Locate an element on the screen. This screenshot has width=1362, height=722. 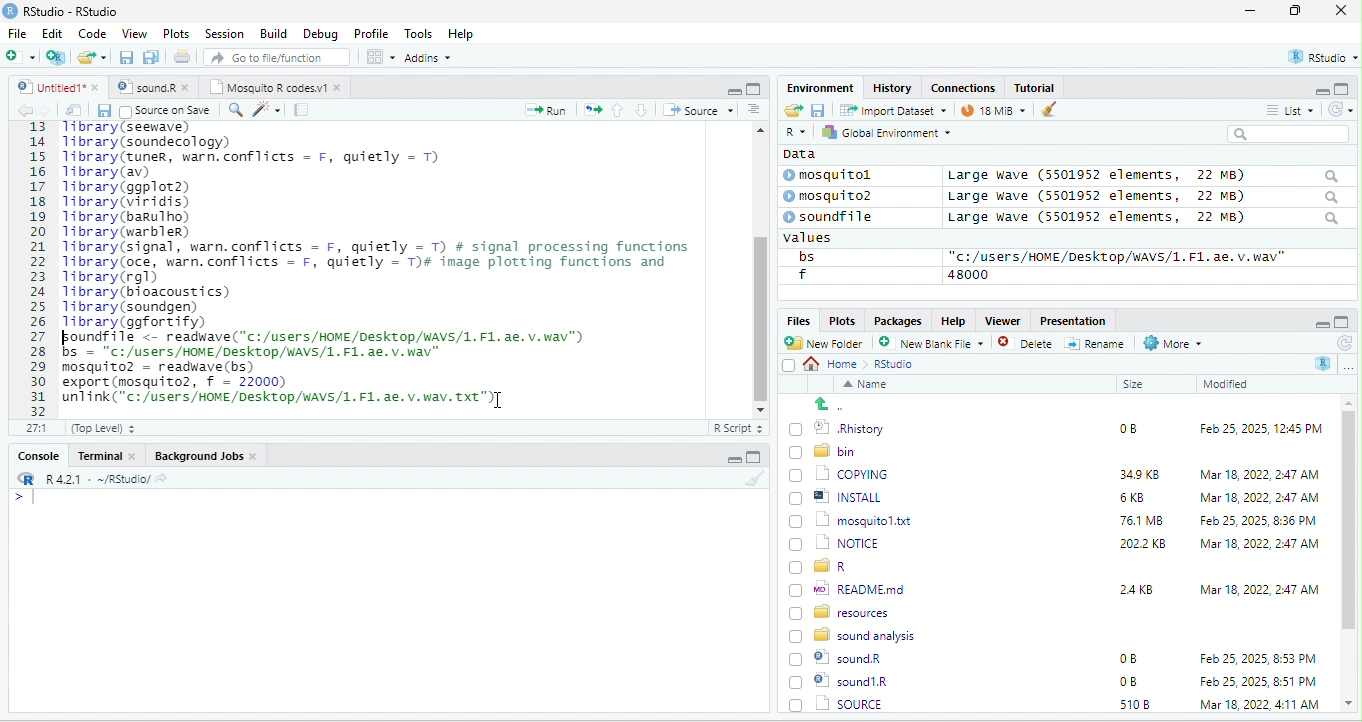
Tools is located at coordinates (419, 33).